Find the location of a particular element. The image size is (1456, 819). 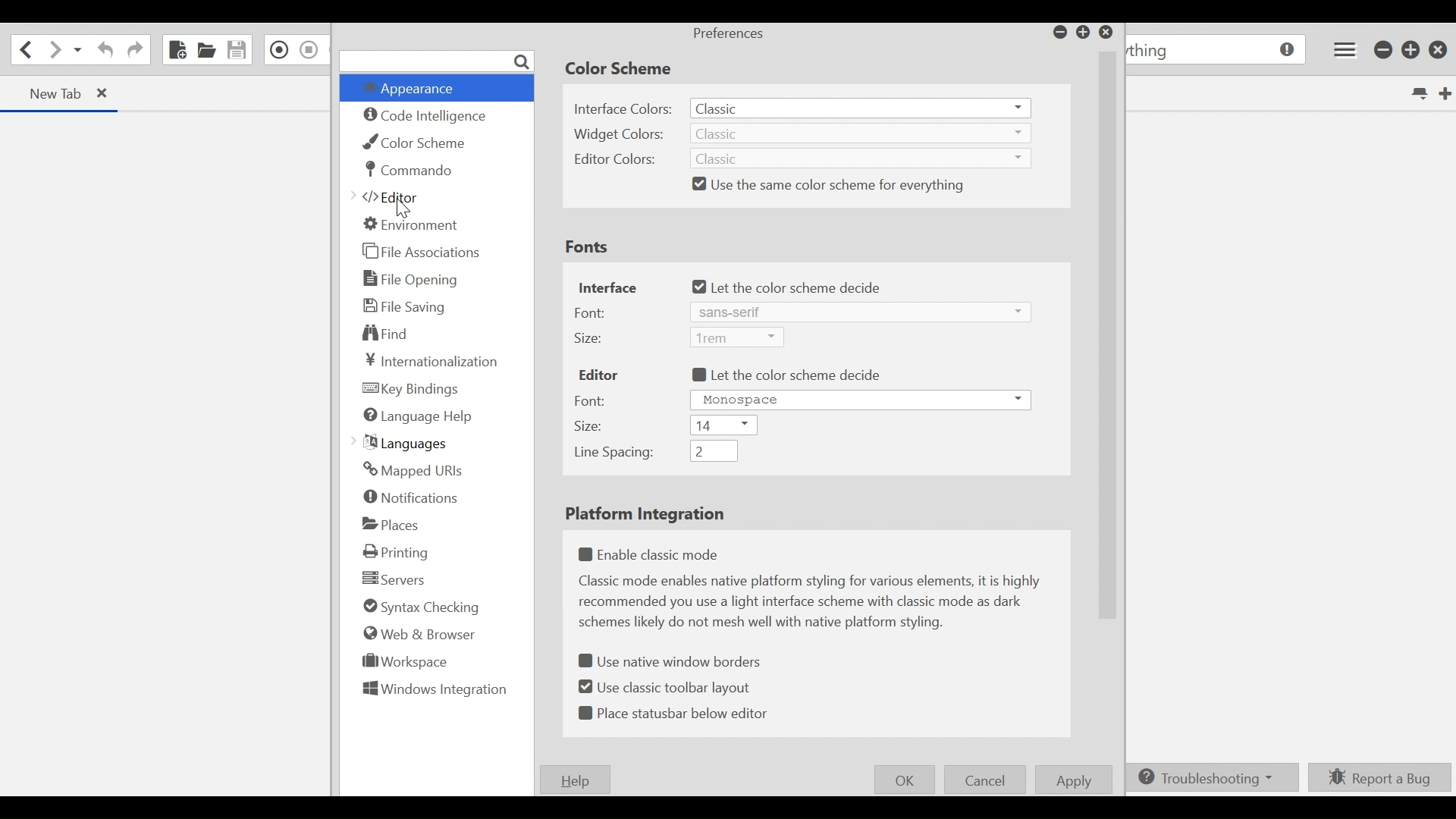

Font dropdown menu is located at coordinates (862, 312).